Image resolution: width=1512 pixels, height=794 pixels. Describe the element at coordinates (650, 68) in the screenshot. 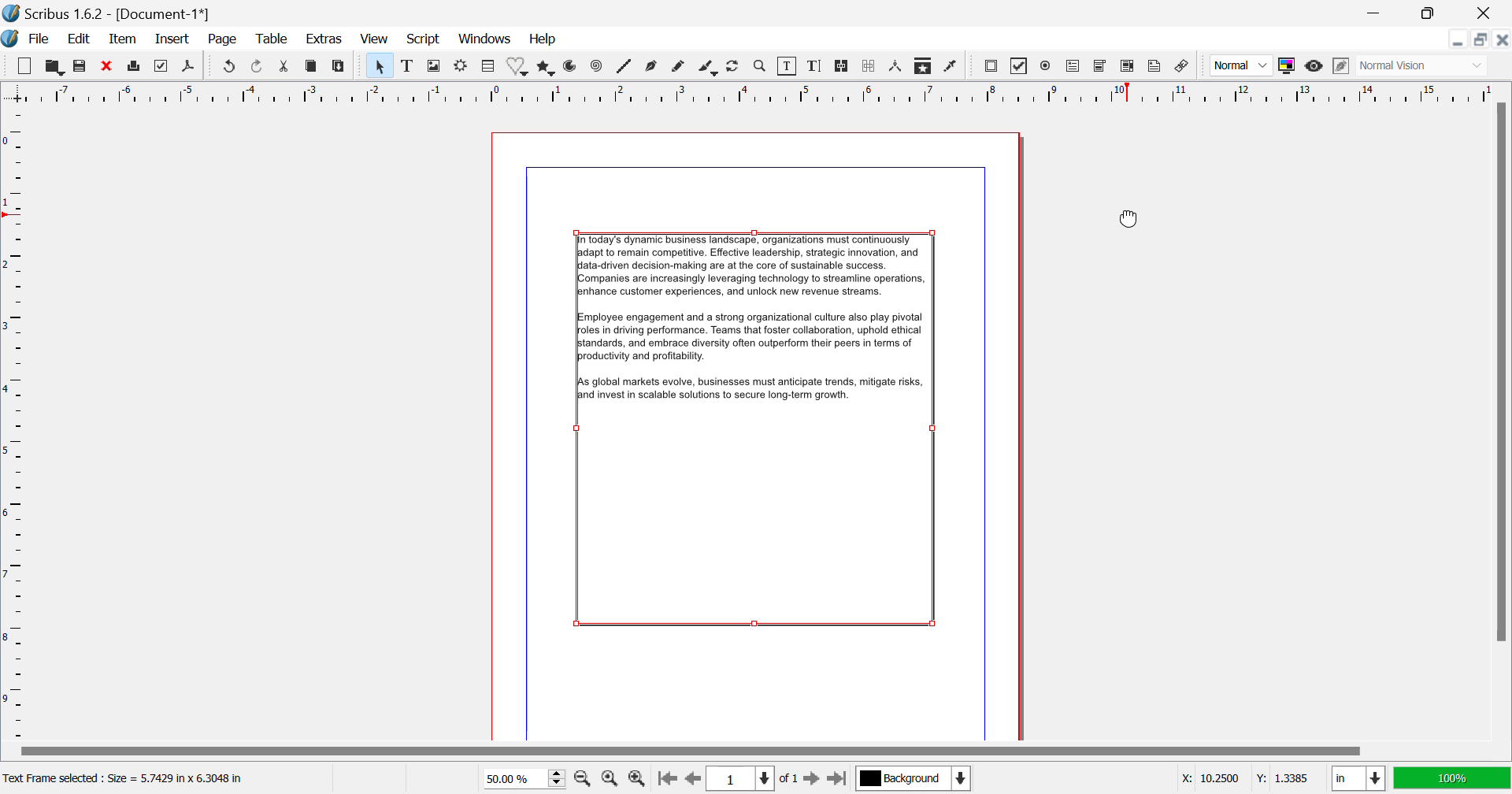

I see `Bezier Curve` at that location.